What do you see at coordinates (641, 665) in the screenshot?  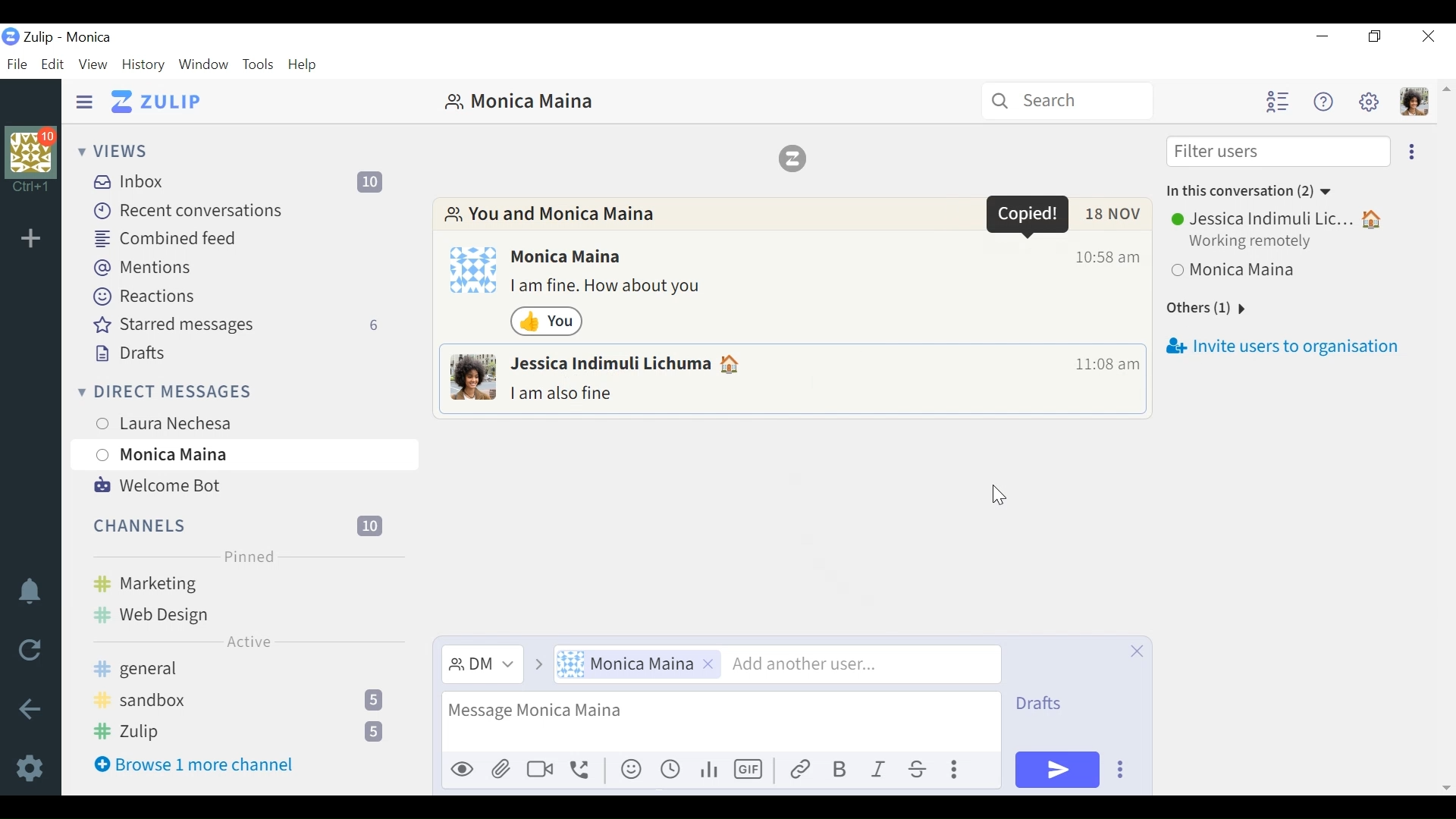 I see `Monica Maina` at bounding box center [641, 665].